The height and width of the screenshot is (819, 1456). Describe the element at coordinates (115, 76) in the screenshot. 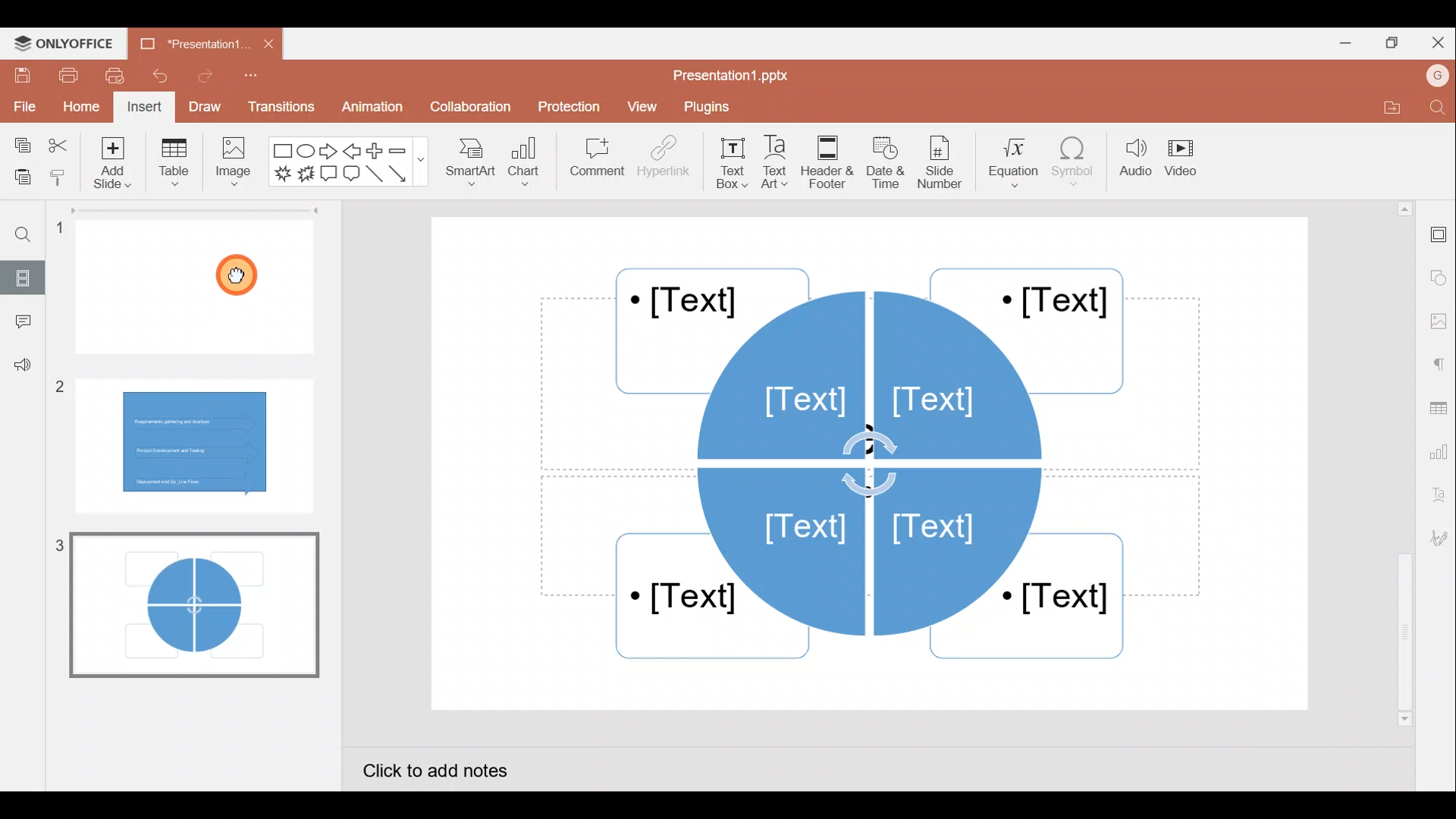

I see `Quick print` at that location.